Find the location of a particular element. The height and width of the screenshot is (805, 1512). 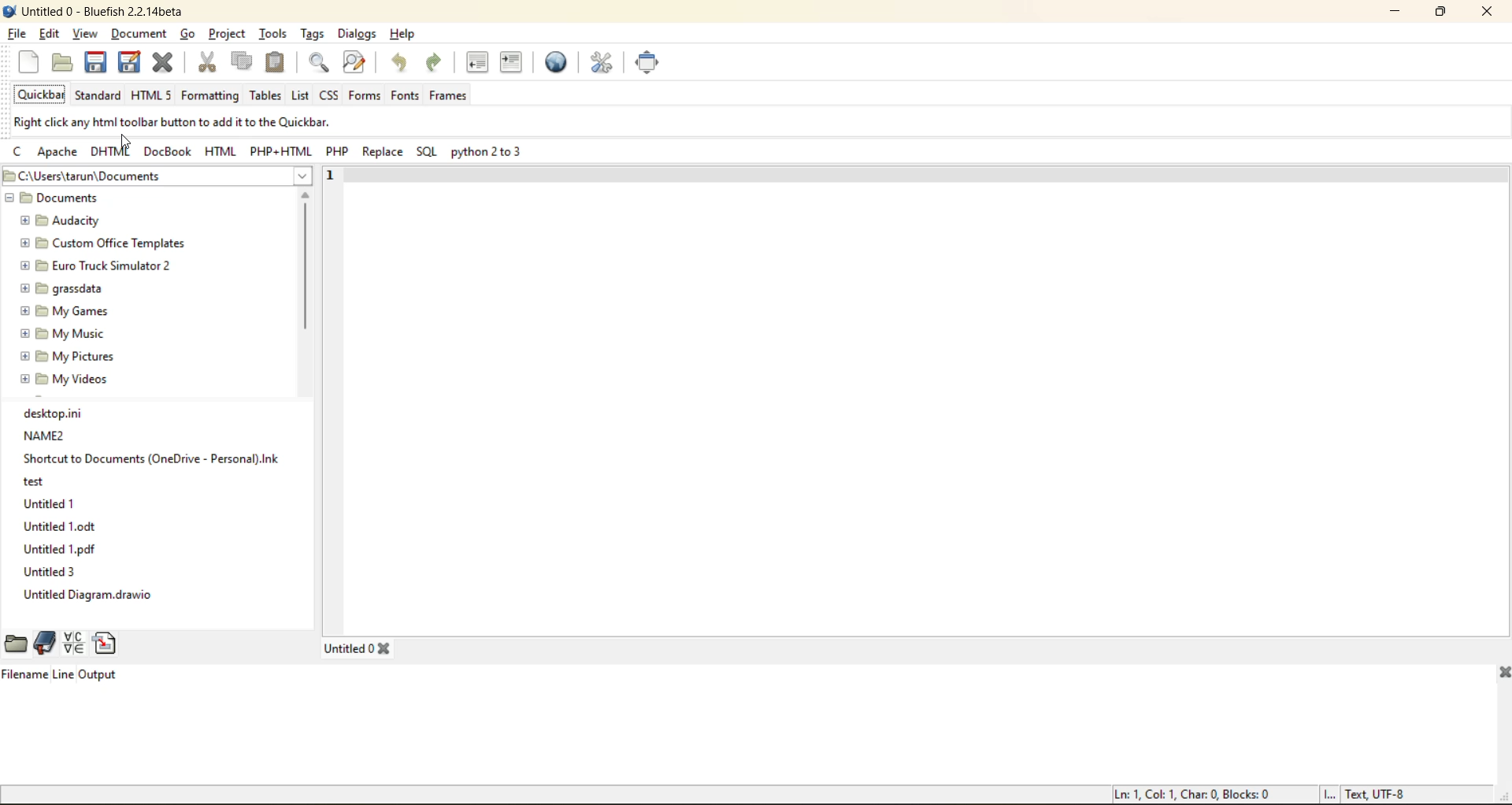

Shortcut to Documents (OneDrive - Personal).Ink is located at coordinates (149, 460).